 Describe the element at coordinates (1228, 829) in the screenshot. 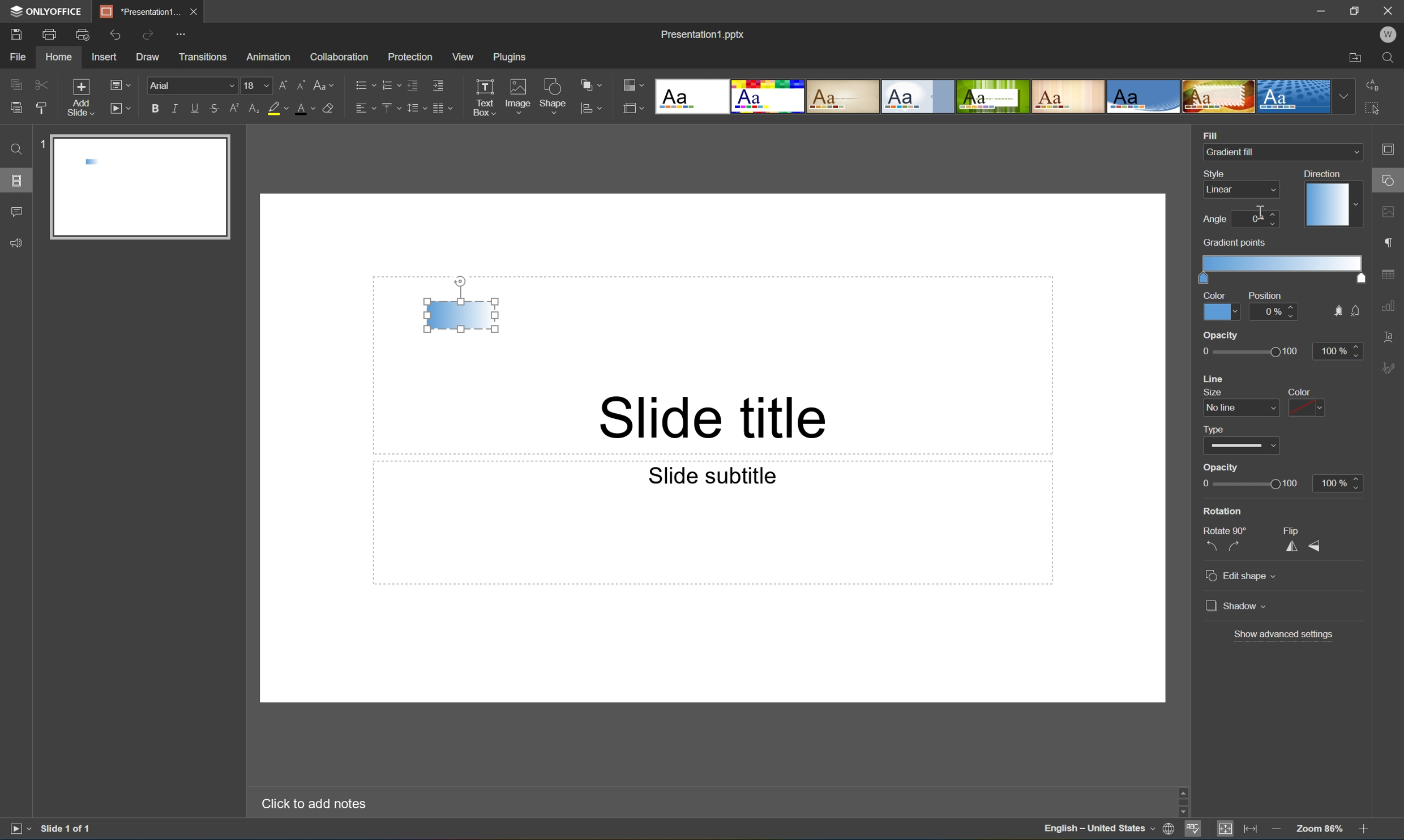

I see `Fit to Slide` at that location.